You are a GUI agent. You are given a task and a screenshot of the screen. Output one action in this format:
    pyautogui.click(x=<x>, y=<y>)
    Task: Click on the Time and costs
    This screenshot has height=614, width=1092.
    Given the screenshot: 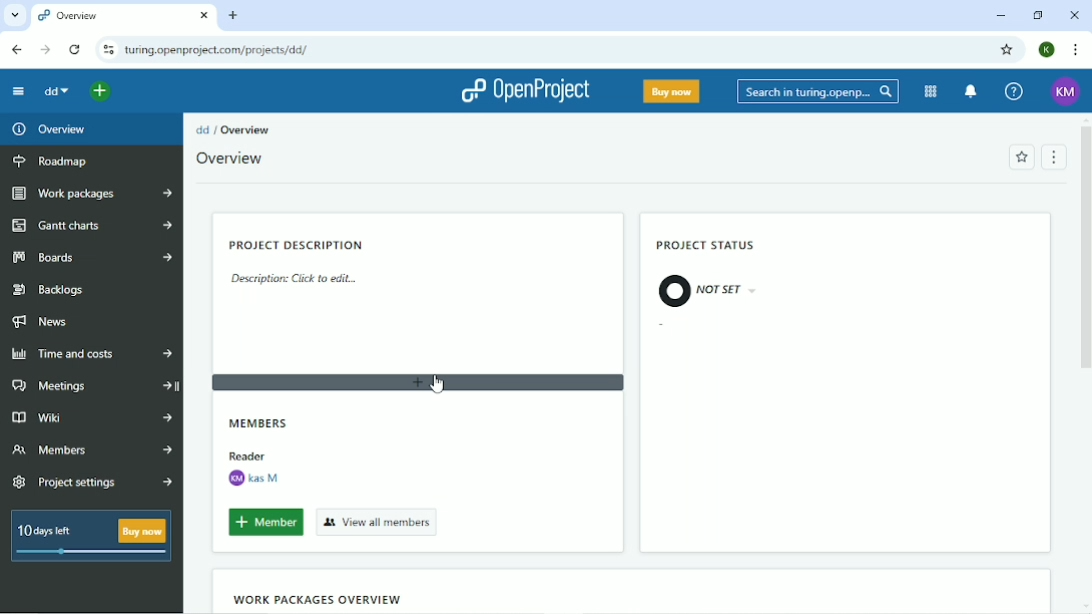 What is the action you would take?
    pyautogui.click(x=93, y=354)
    